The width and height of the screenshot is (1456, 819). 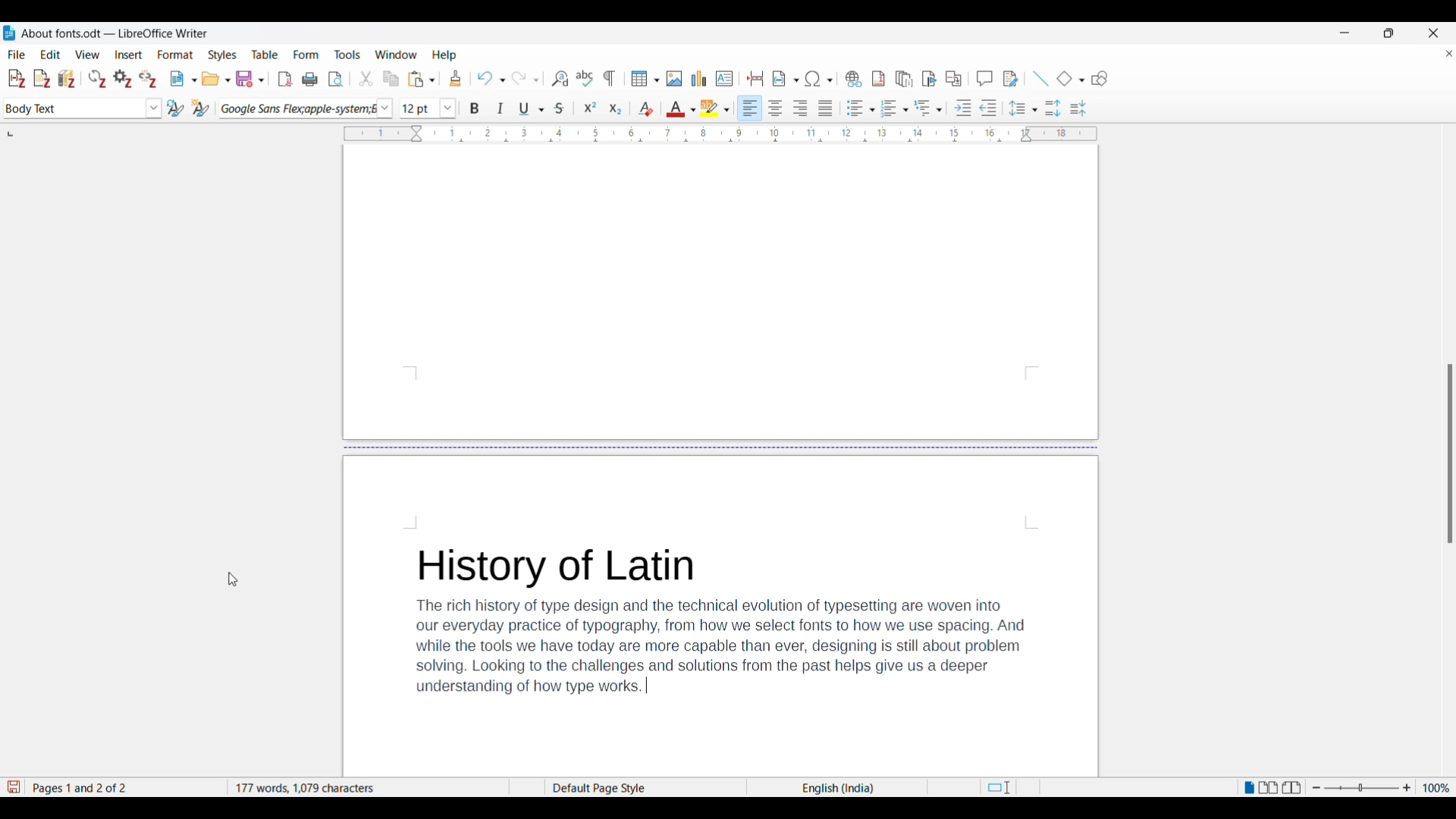 What do you see at coordinates (836, 788) in the screenshot?
I see `Current language` at bounding box center [836, 788].